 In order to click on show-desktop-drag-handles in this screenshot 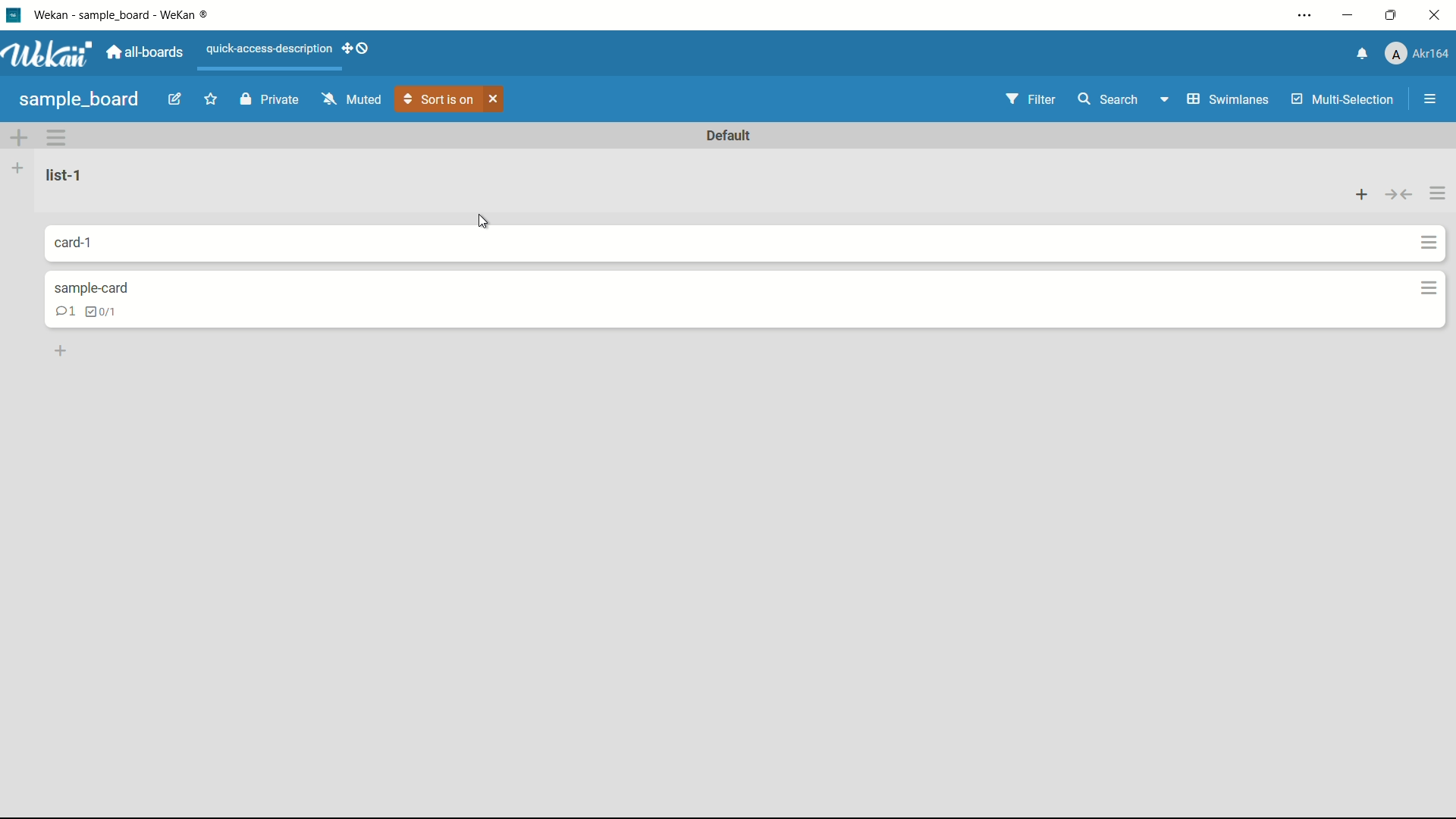, I will do `click(359, 49)`.